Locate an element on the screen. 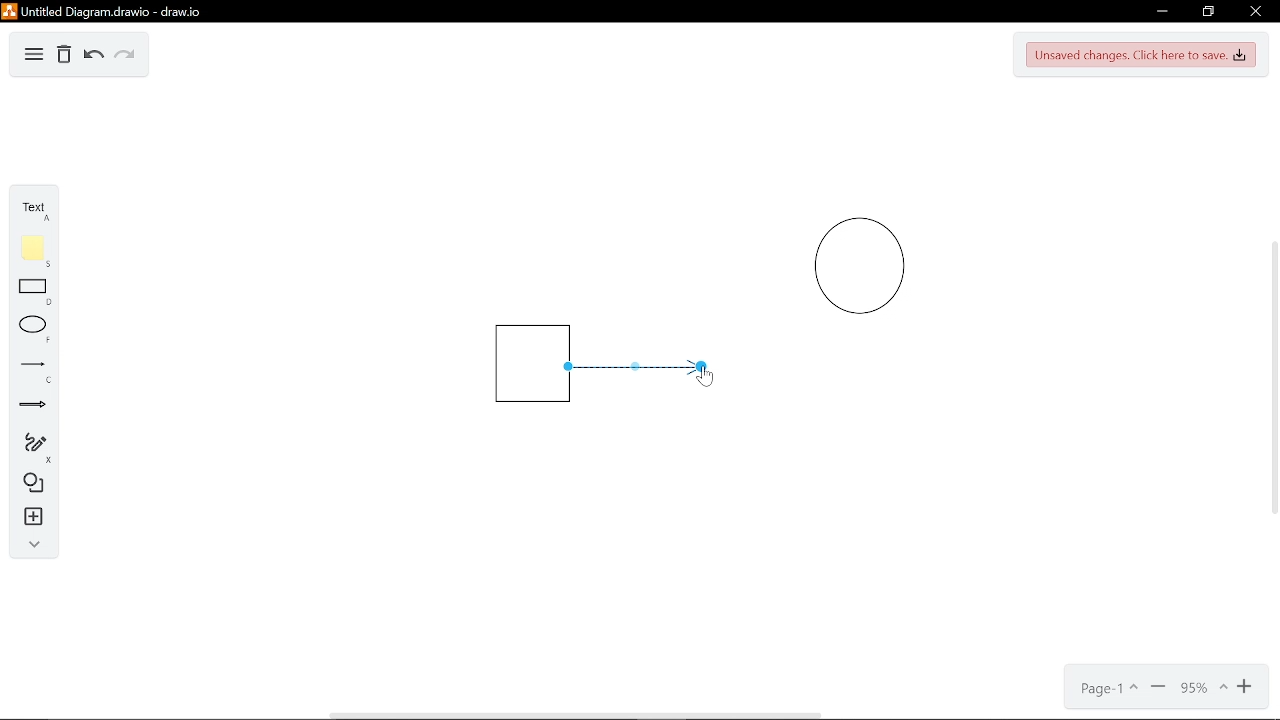 This screenshot has height=720, width=1280. Square is located at coordinates (518, 366).